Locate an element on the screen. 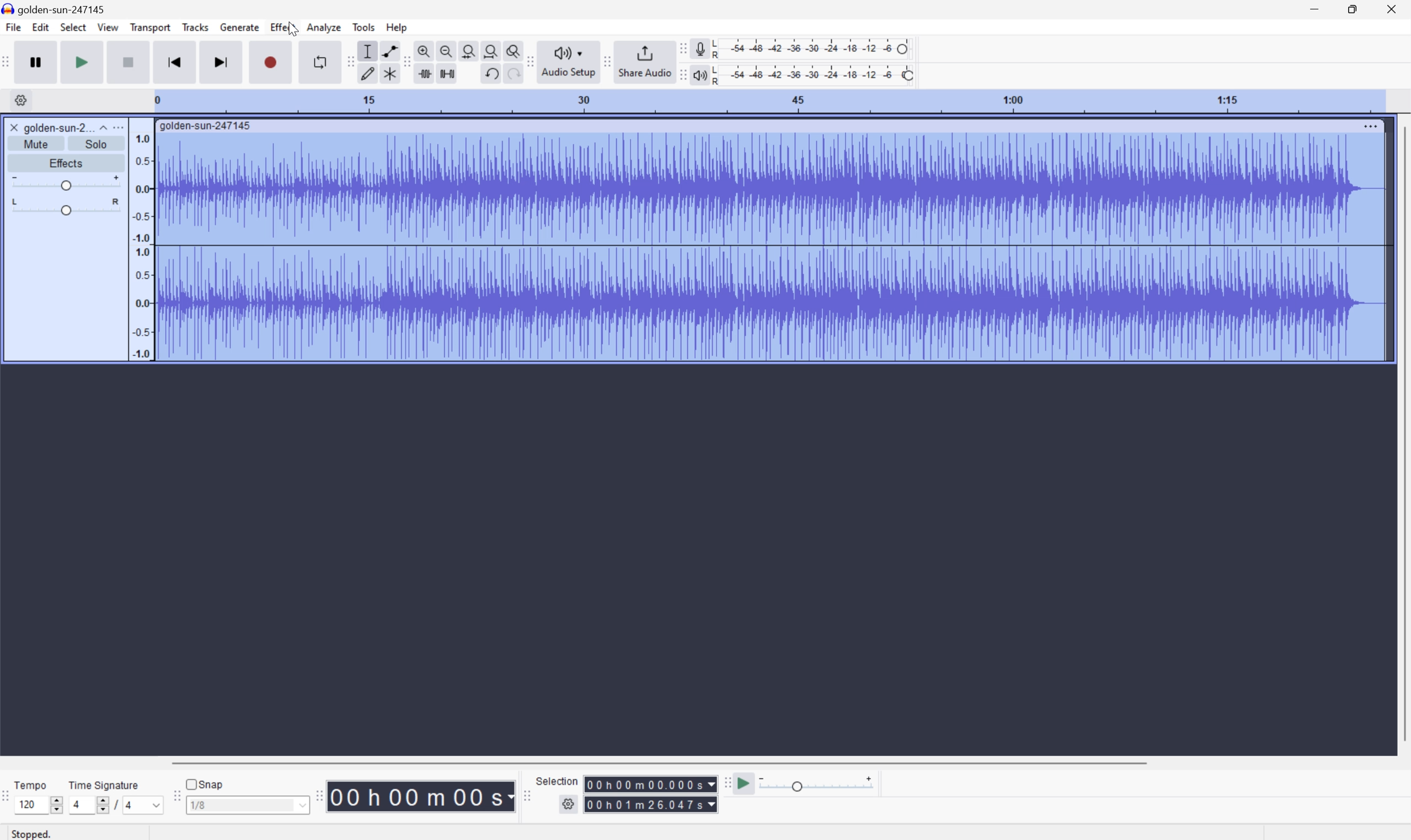  Play at speed is located at coordinates (745, 784).